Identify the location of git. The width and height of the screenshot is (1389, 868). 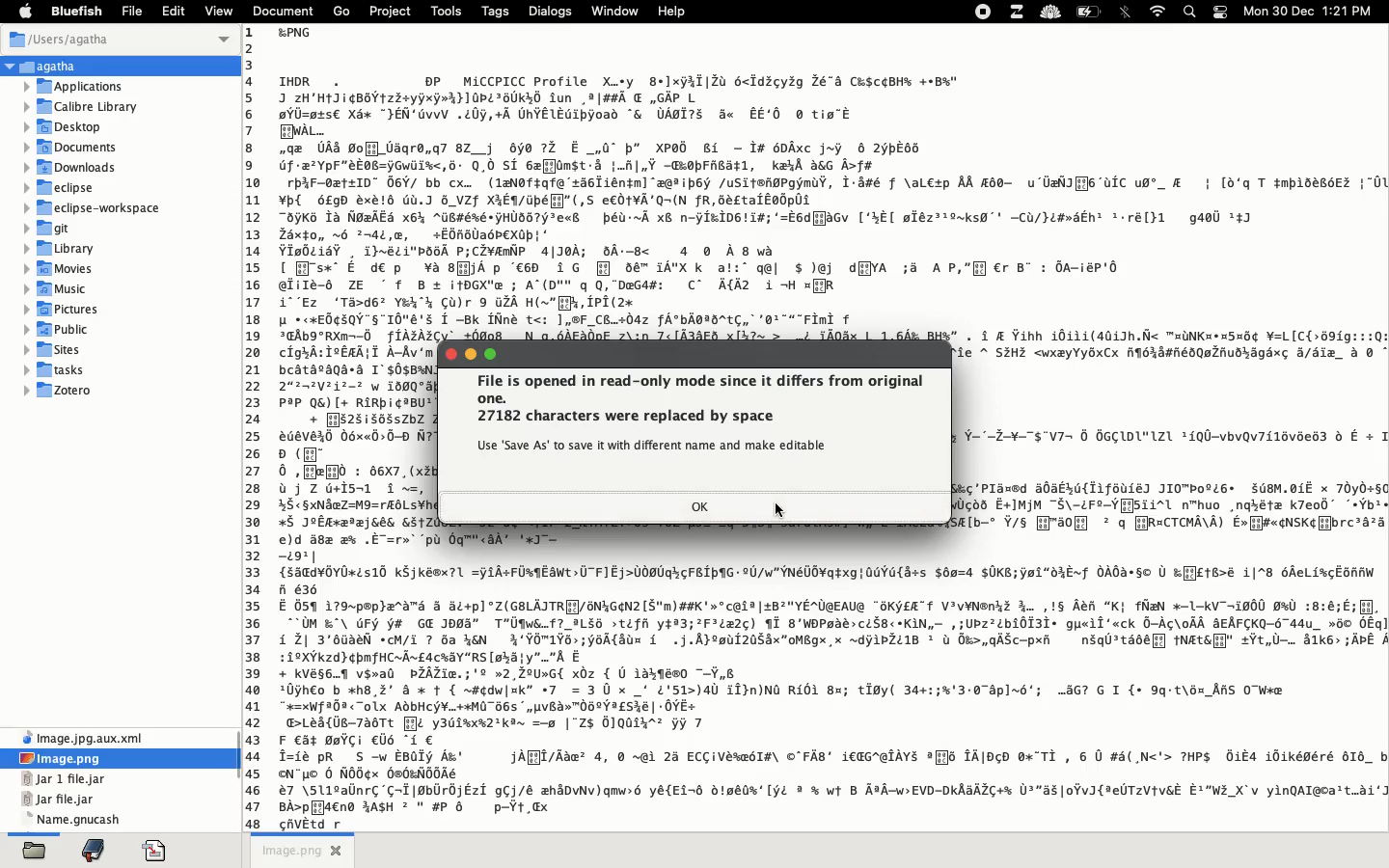
(47, 227).